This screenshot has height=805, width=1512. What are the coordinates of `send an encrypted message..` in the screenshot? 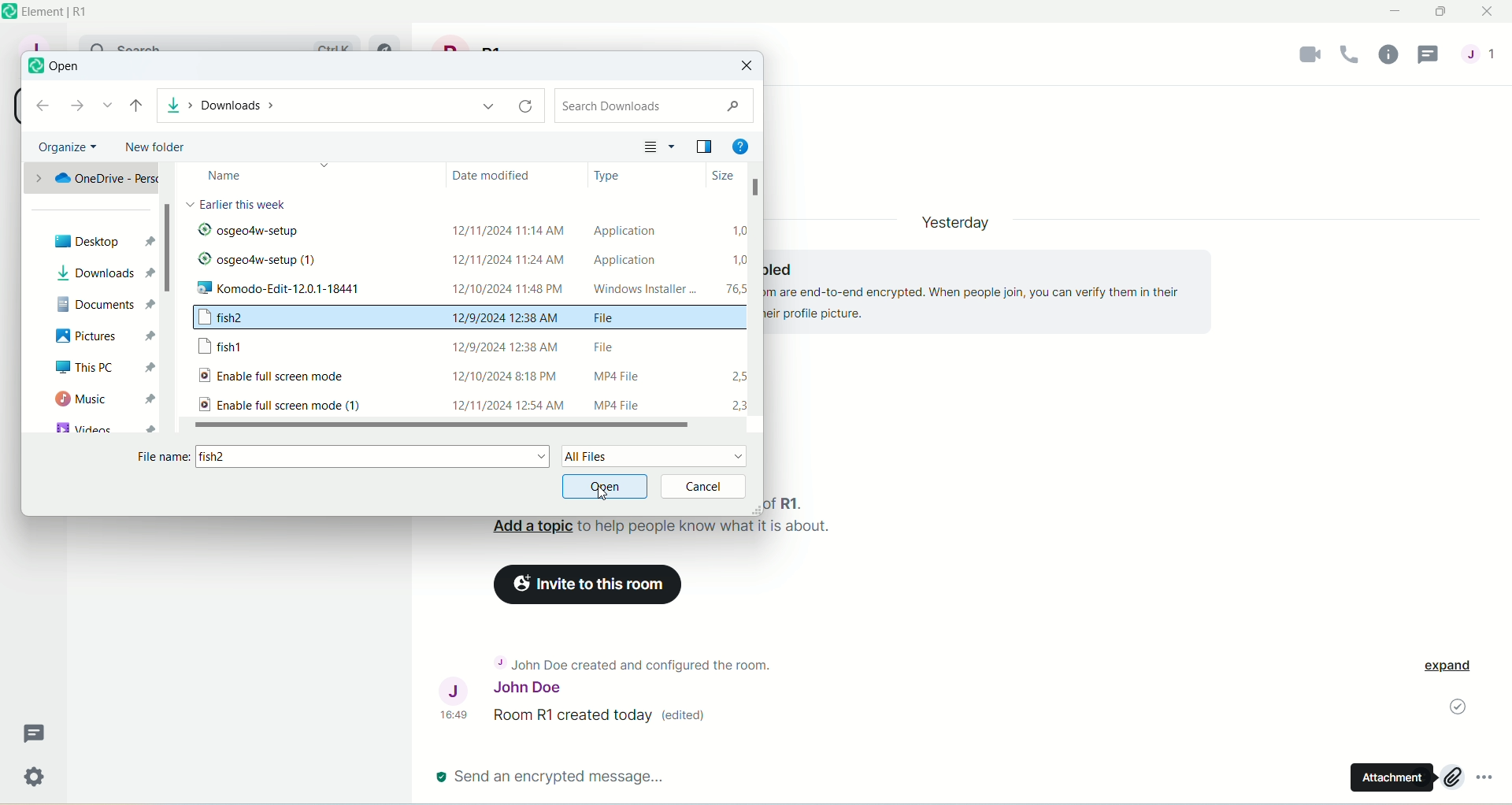 It's located at (551, 776).